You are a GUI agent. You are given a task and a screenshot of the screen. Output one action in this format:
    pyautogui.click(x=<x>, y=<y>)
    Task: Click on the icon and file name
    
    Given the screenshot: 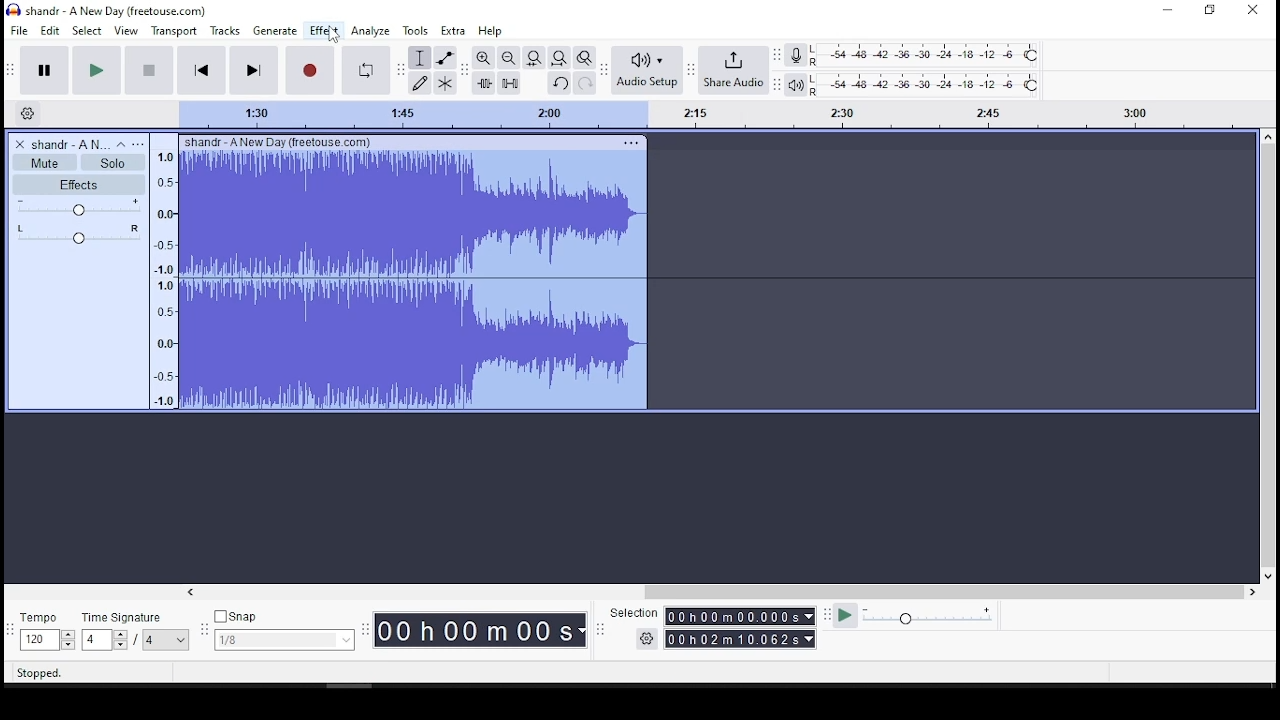 What is the action you would take?
    pyautogui.click(x=109, y=12)
    